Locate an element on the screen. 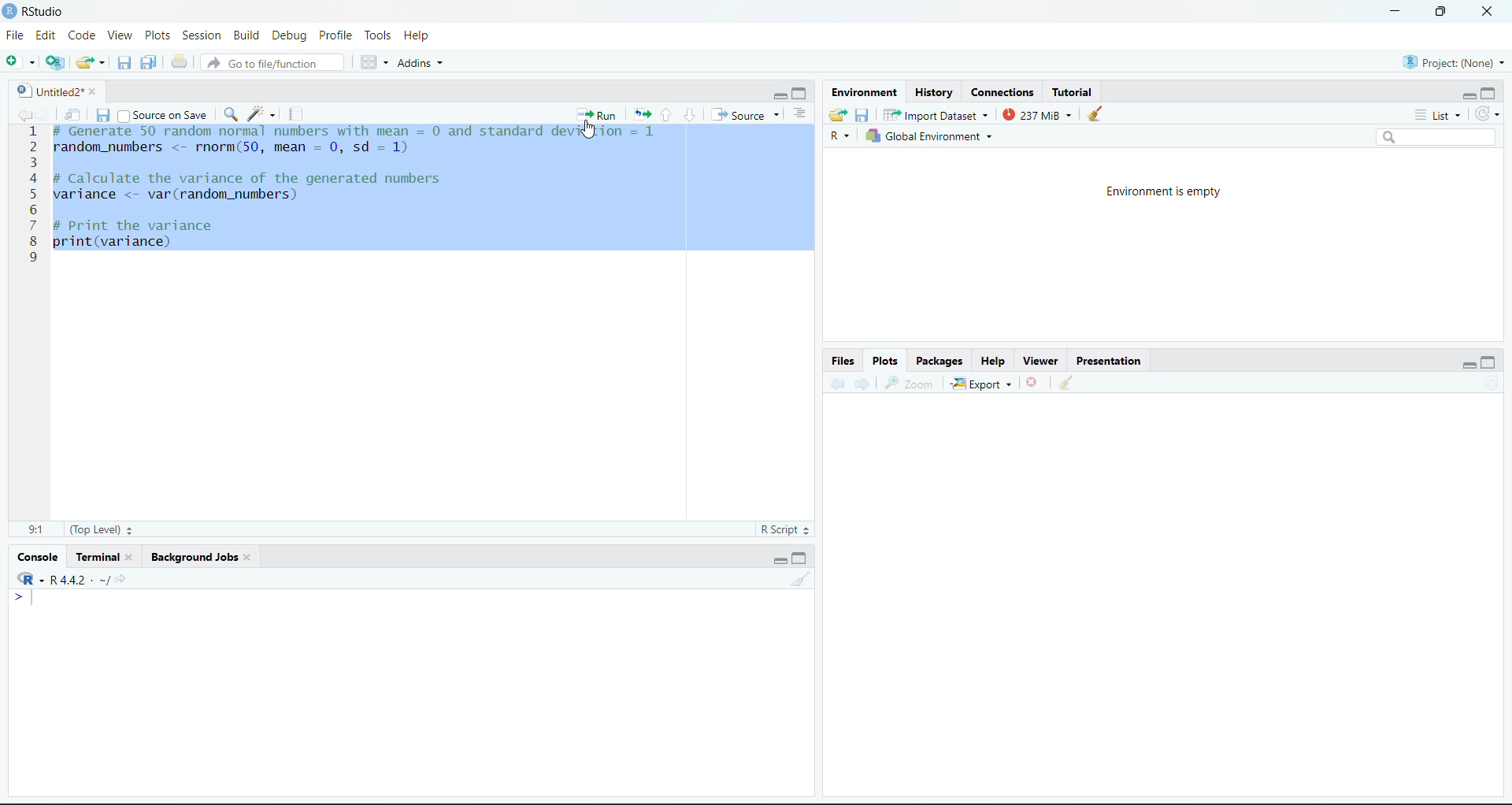 The image size is (1512, 805). Zoom is located at coordinates (911, 384).